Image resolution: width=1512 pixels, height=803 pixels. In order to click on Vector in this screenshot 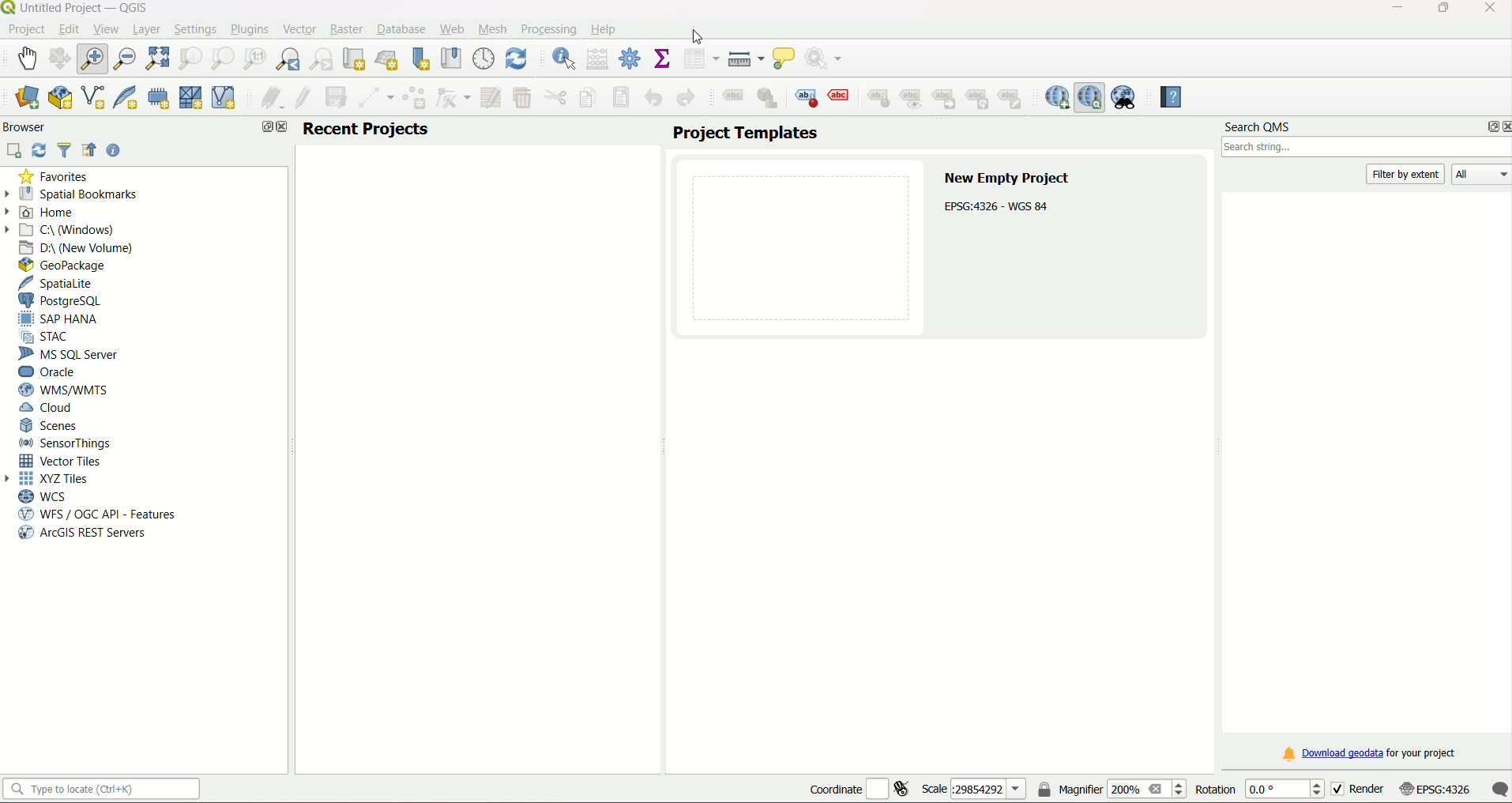, I will do `click(297, 28)`.